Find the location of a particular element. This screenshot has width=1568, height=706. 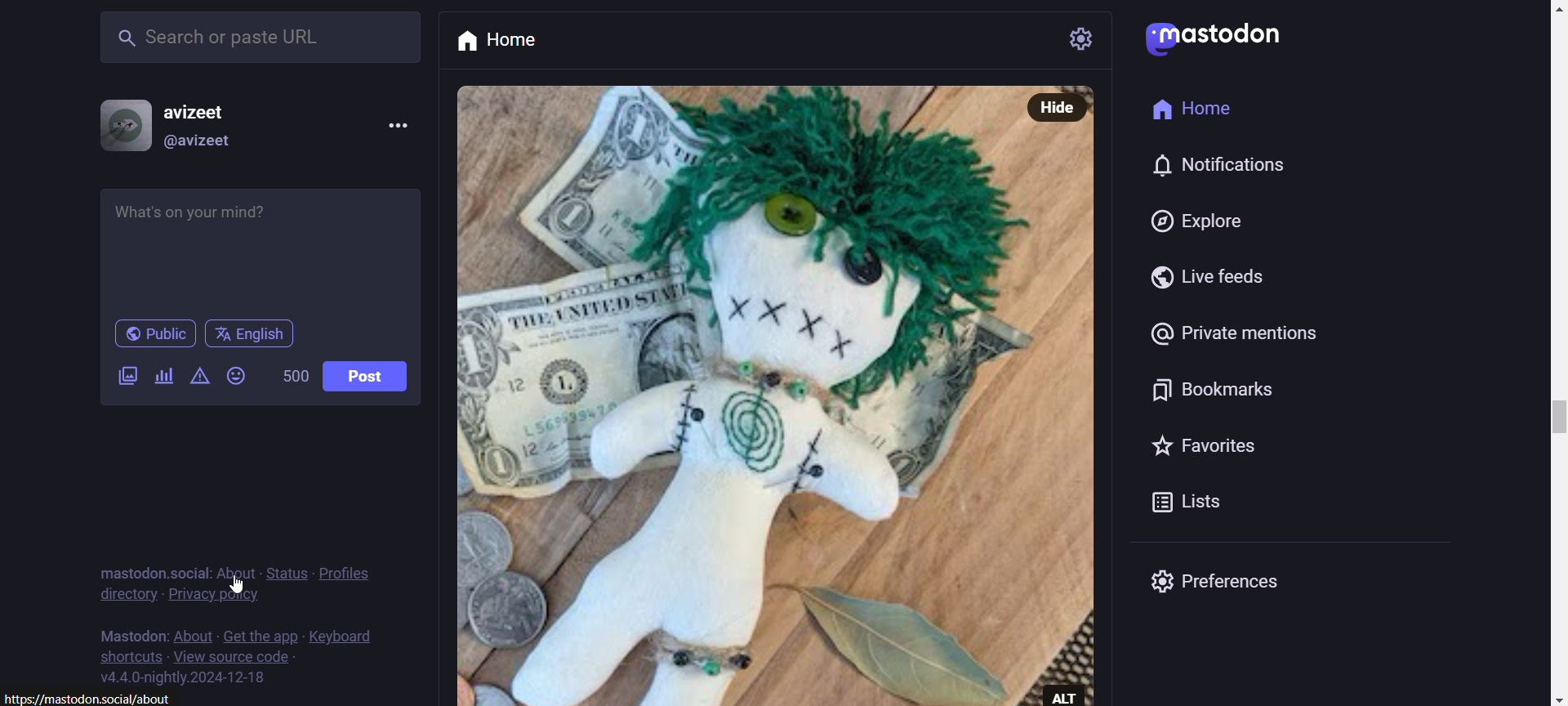

get the app is located at coordinates (261, 634).